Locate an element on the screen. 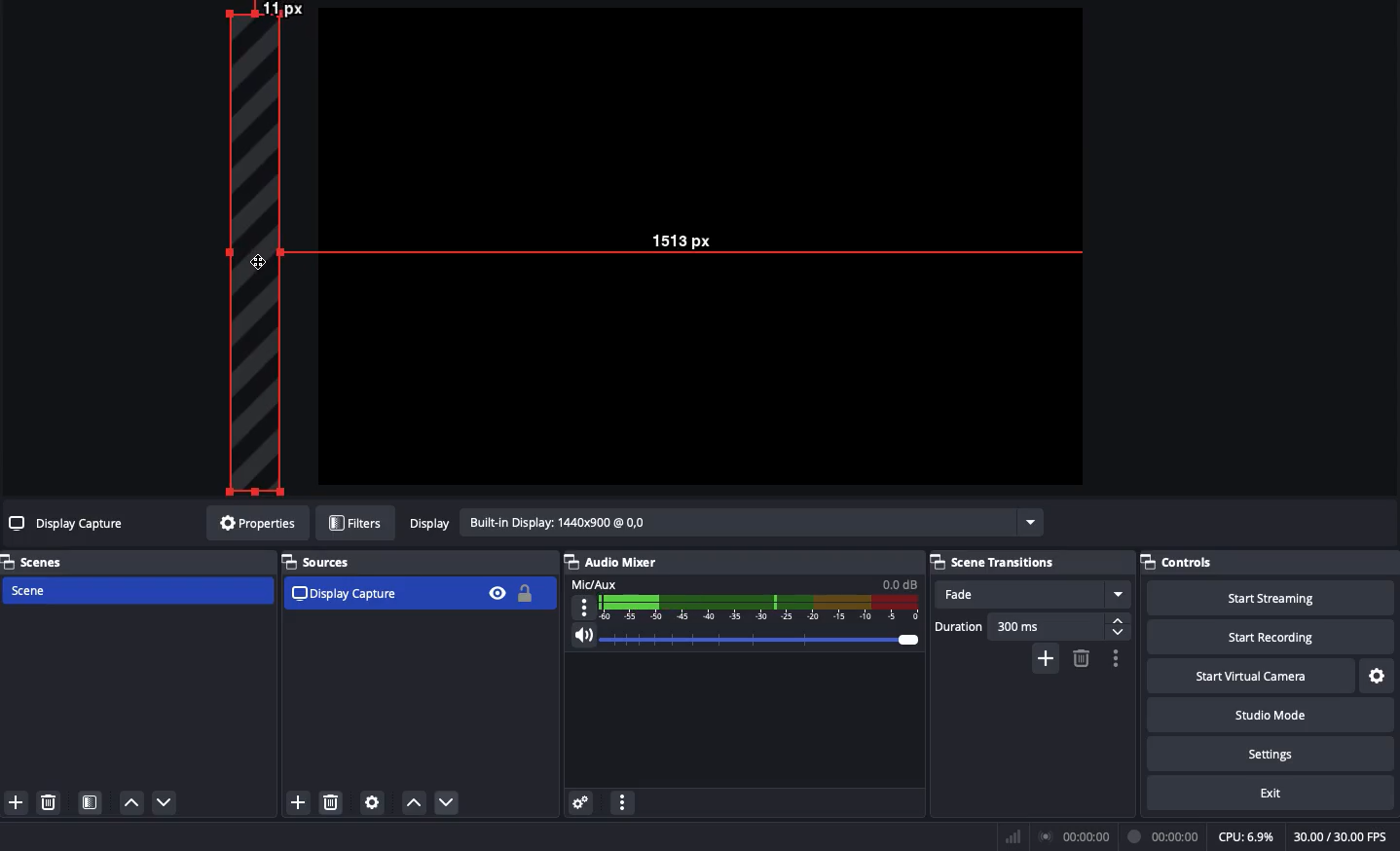 The width and height of the screenshot is (1400, 851). Move down is located at coordinates (166, 802).